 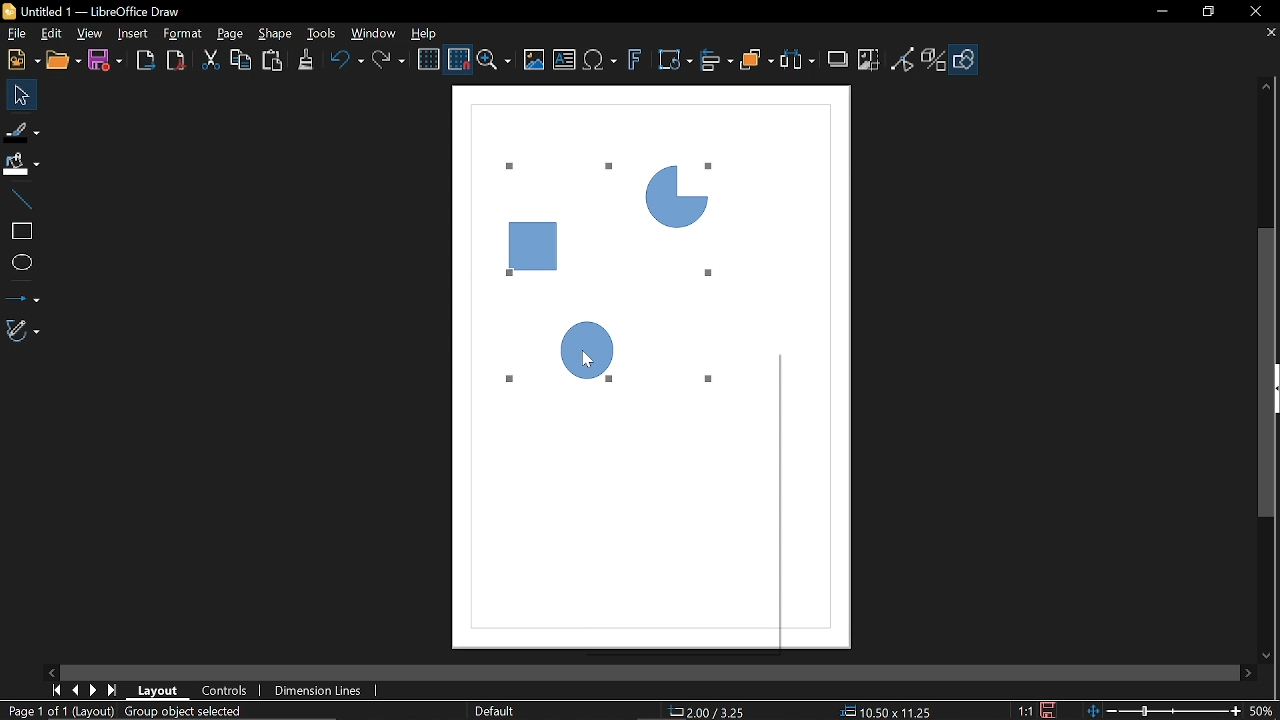 I want to click on Tools, so click(x=319, y=34).